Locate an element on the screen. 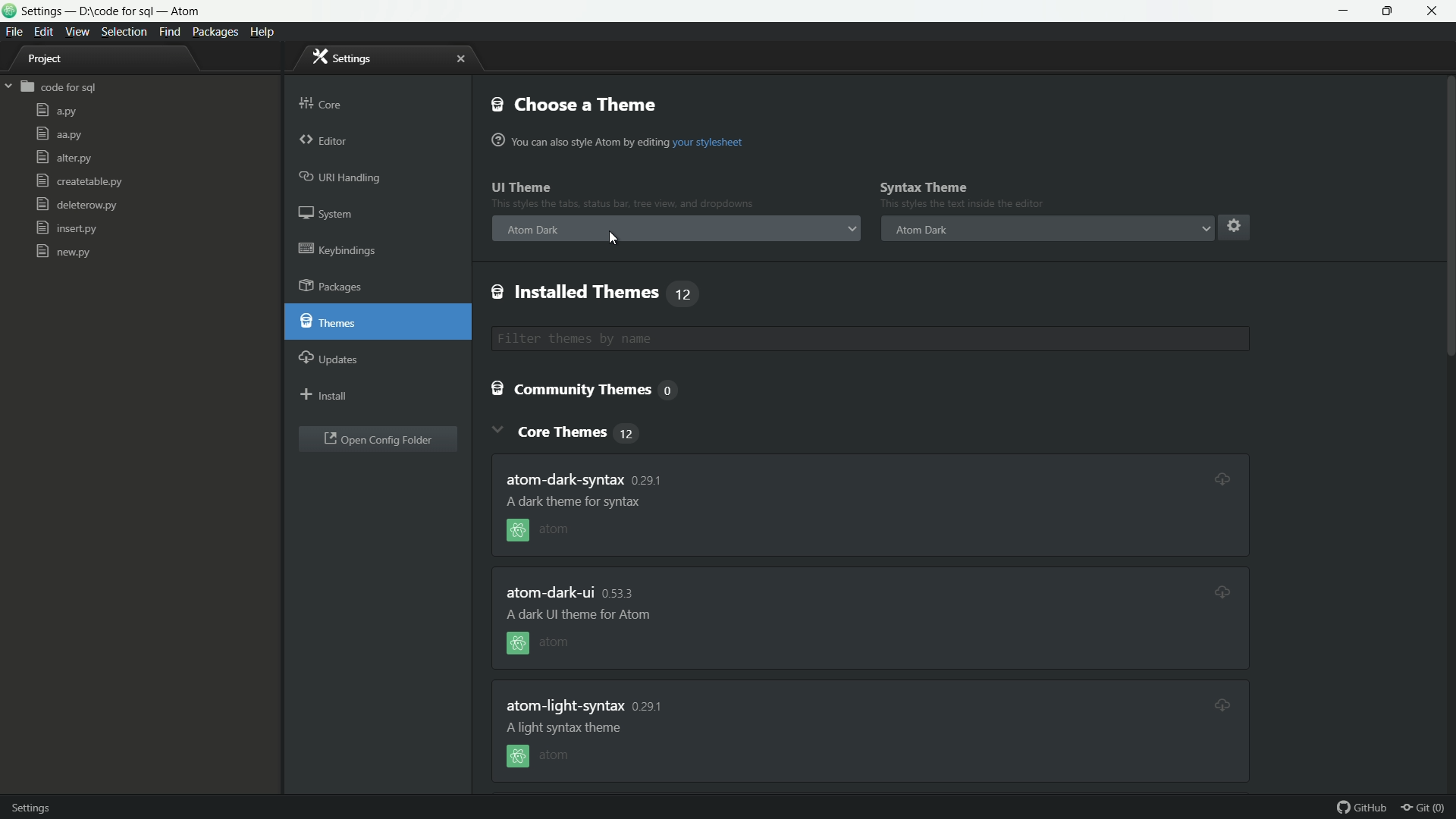  packages is located at coordinates (334, 287).